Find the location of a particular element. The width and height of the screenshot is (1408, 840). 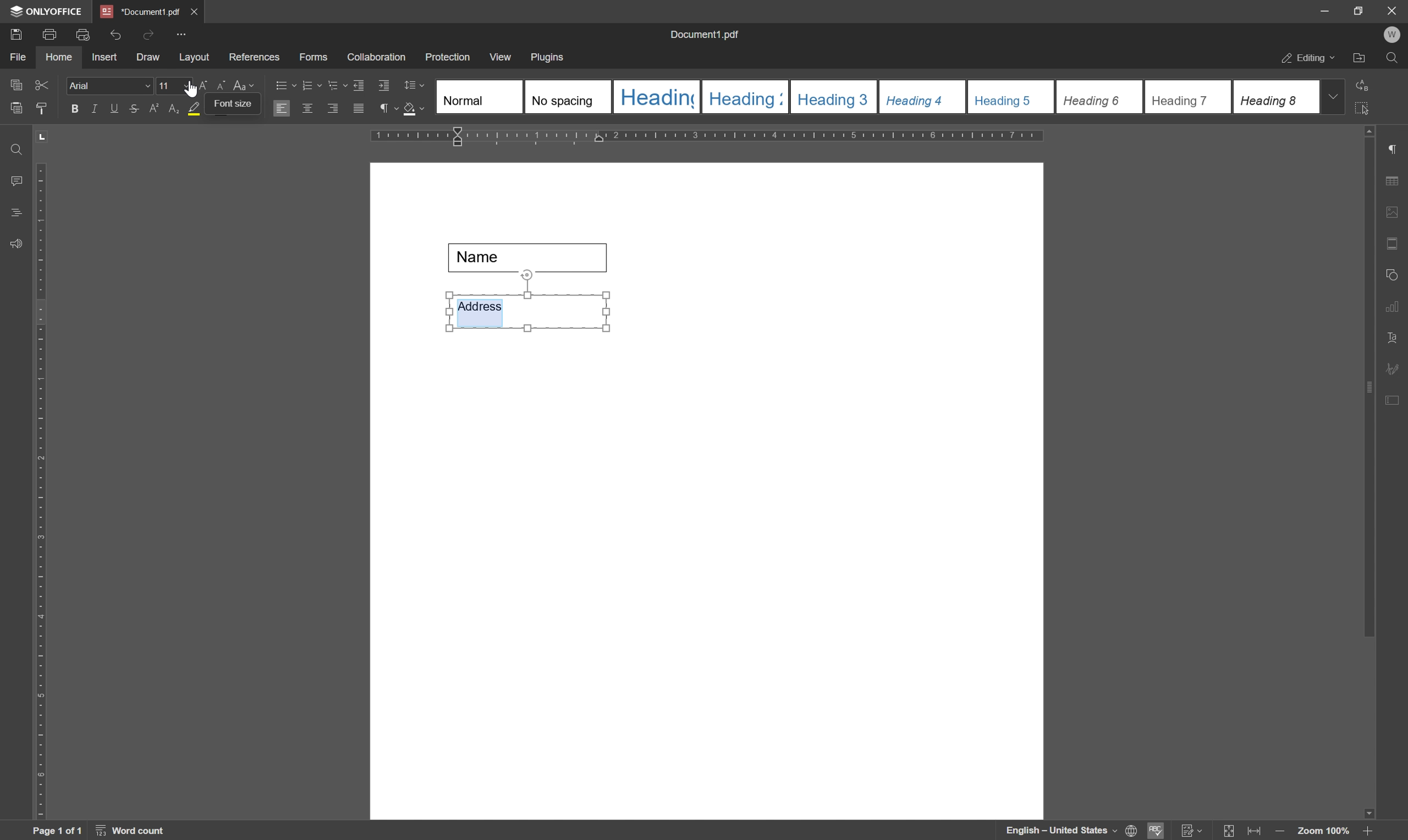

highlight color is located at coordinates (191, 109).